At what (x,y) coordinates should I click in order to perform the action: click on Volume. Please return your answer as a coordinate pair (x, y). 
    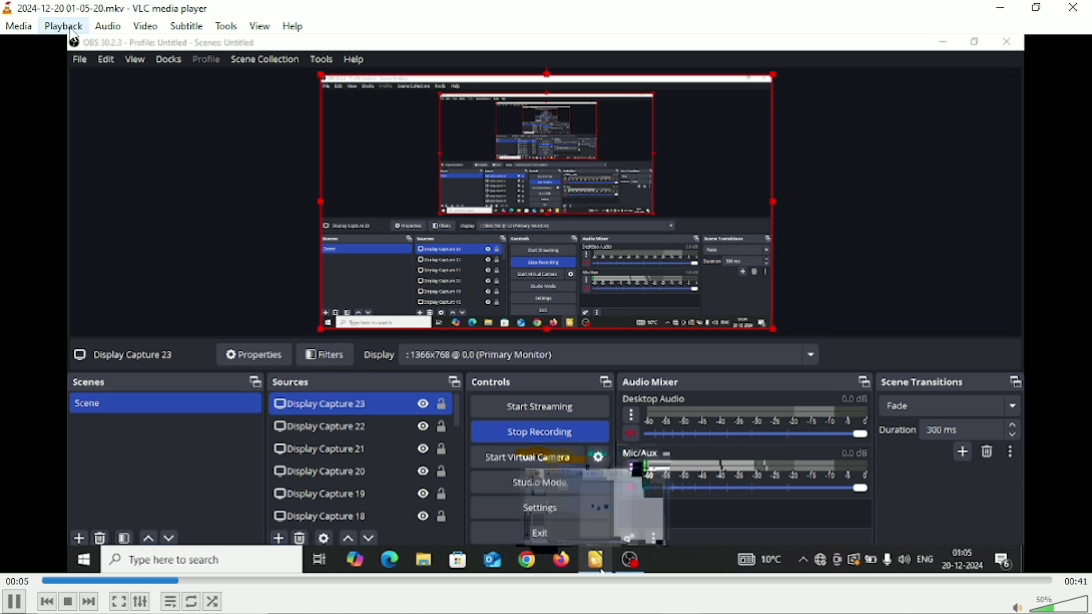
    Looking at the image, I should click on (1051, 603).